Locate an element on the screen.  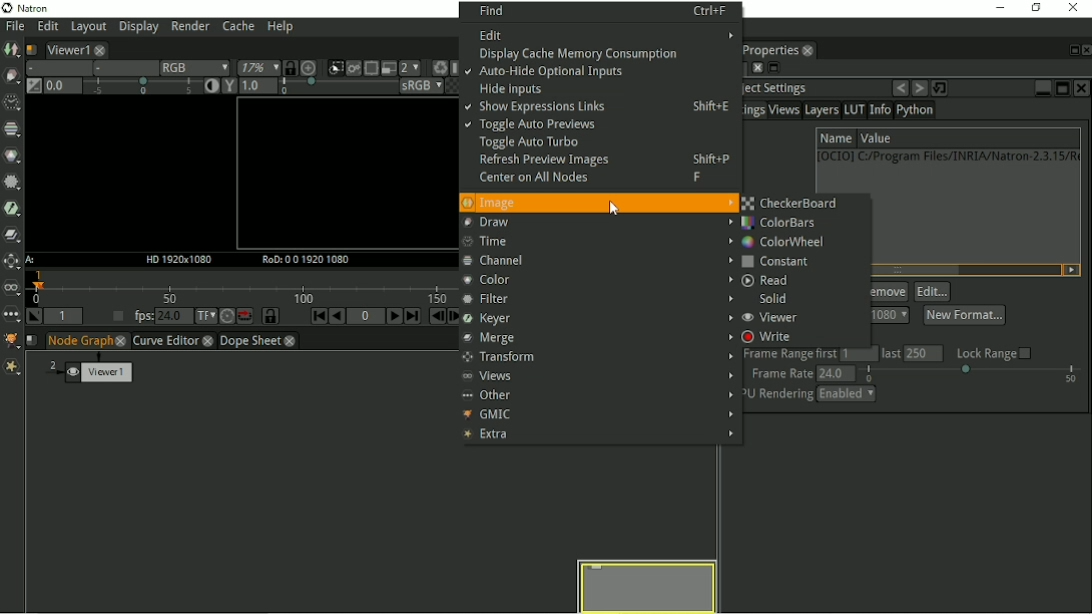
LUT is located at coordinates (854, 110).